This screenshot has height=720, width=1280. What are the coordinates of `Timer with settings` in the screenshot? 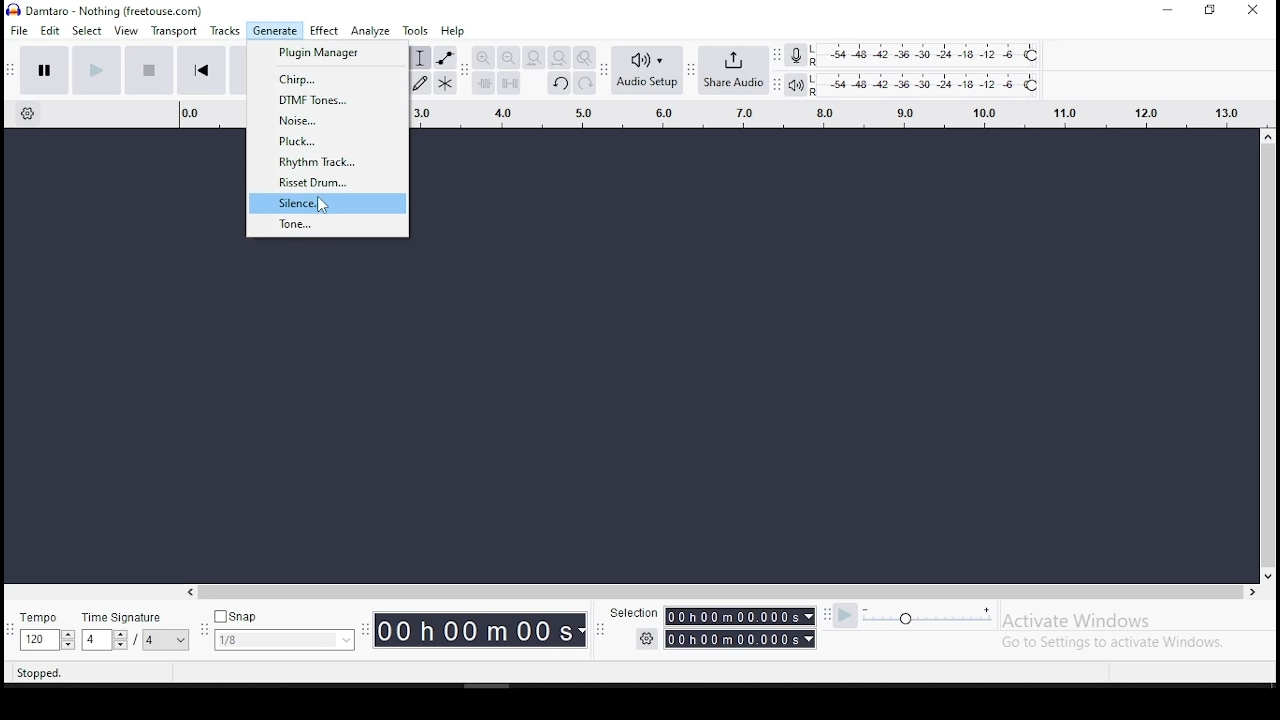 It's located at (721, 643).